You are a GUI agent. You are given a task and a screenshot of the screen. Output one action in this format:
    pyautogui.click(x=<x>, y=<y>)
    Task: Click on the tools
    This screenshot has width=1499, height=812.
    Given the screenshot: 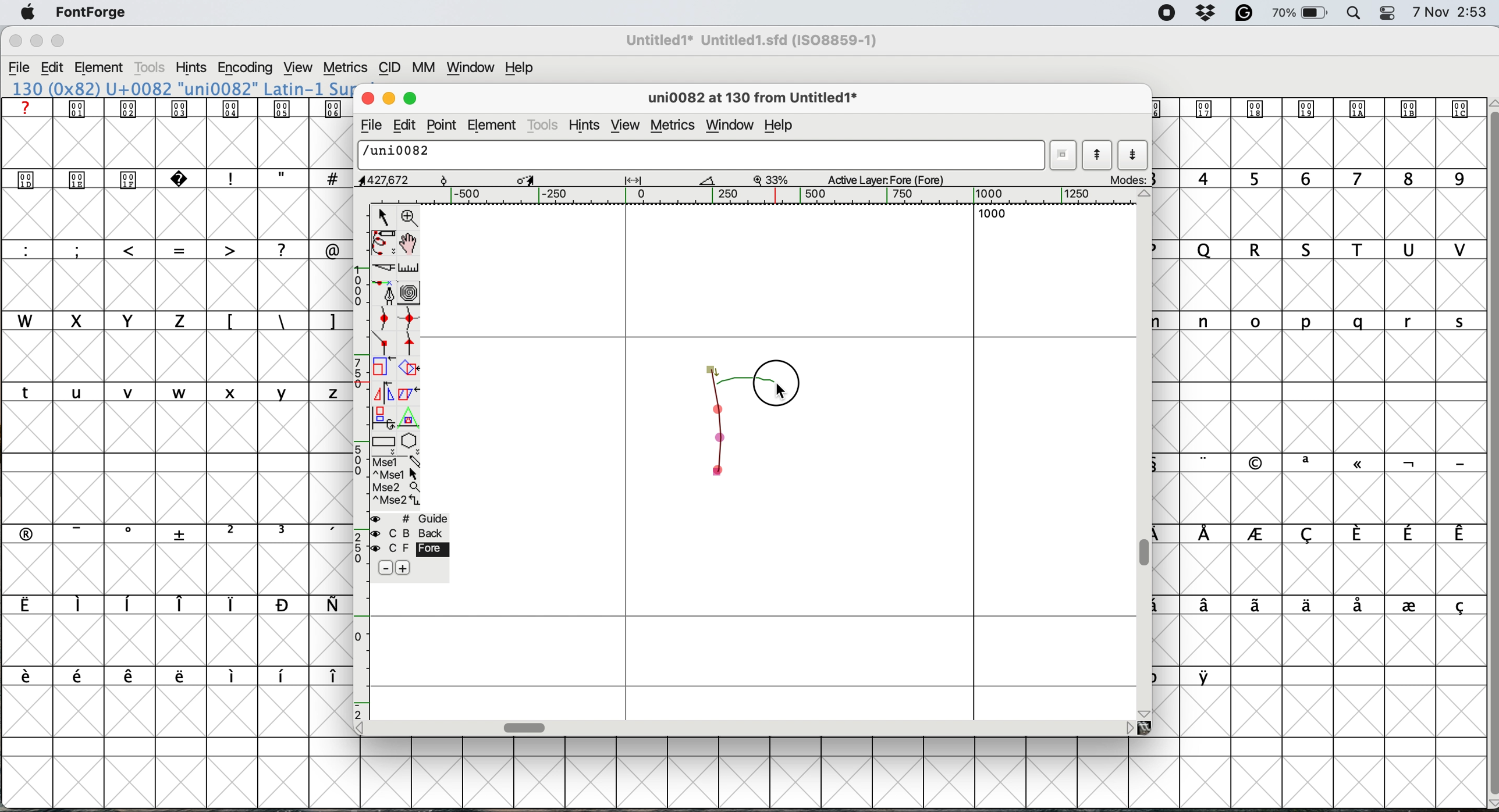 What is the action you would take?
    pyautogui.click(x=151, y=67)
    